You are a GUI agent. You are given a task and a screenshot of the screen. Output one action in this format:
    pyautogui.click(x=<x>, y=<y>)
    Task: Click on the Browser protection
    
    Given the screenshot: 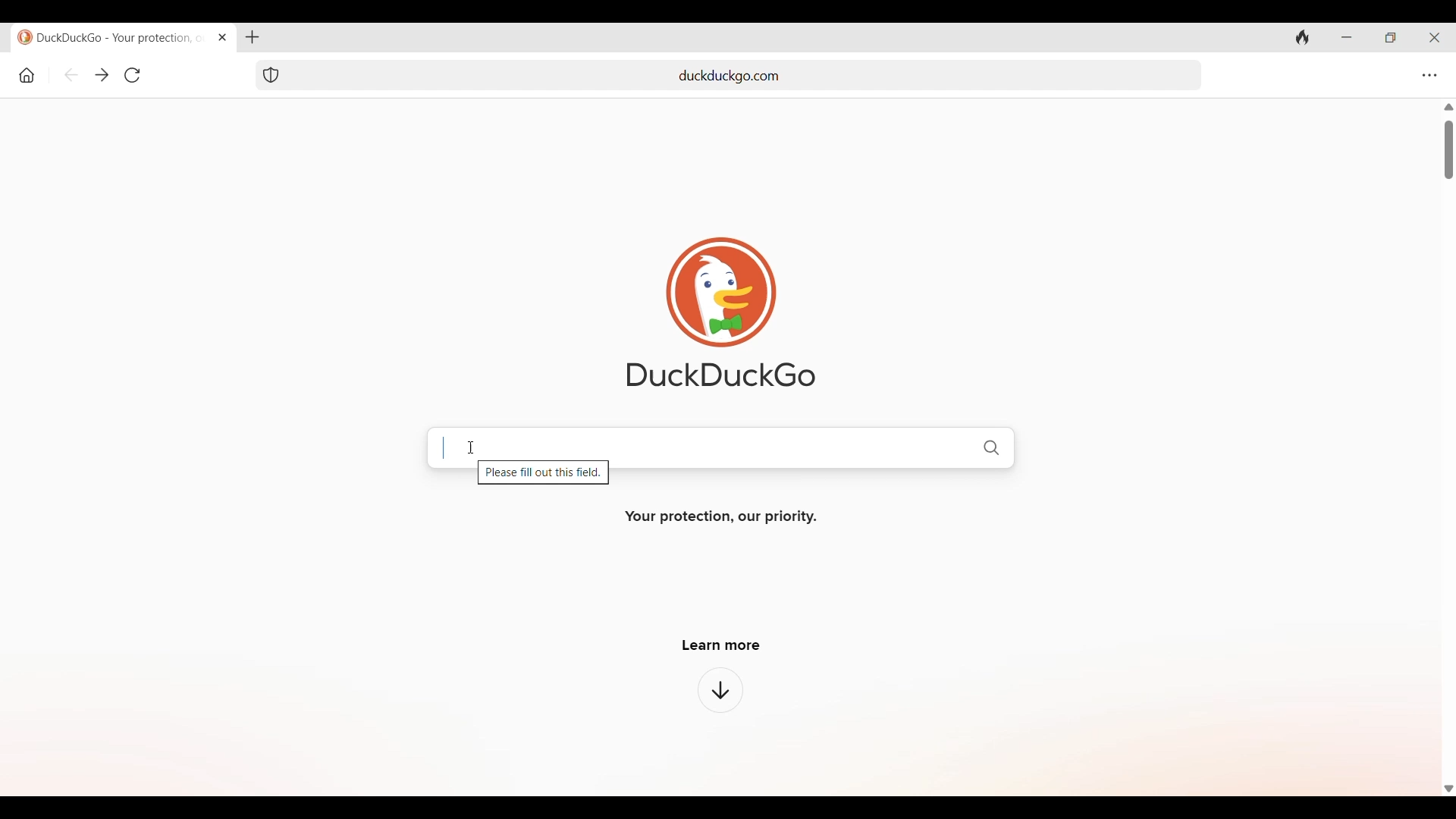 What is the action you would take?
    pyautogui.click(x=270, y=75)
    